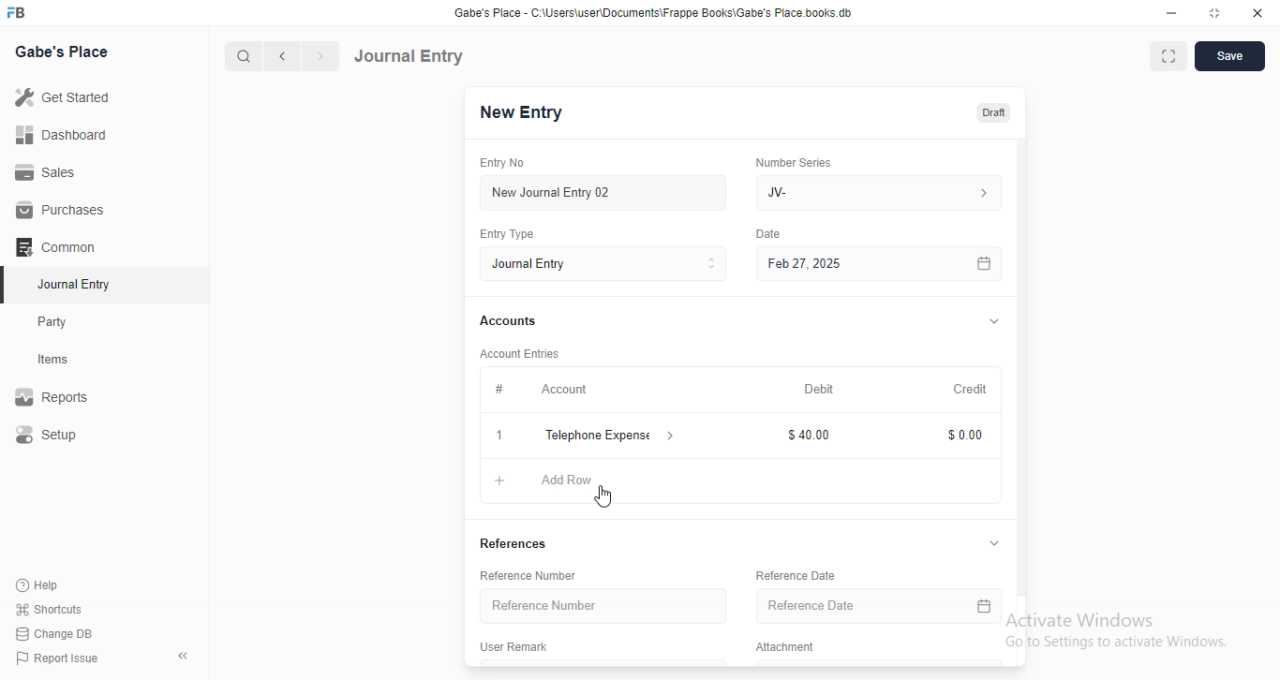 This screenshot has width=1280, height=680. I want to click on Hide, so click(990, 544).